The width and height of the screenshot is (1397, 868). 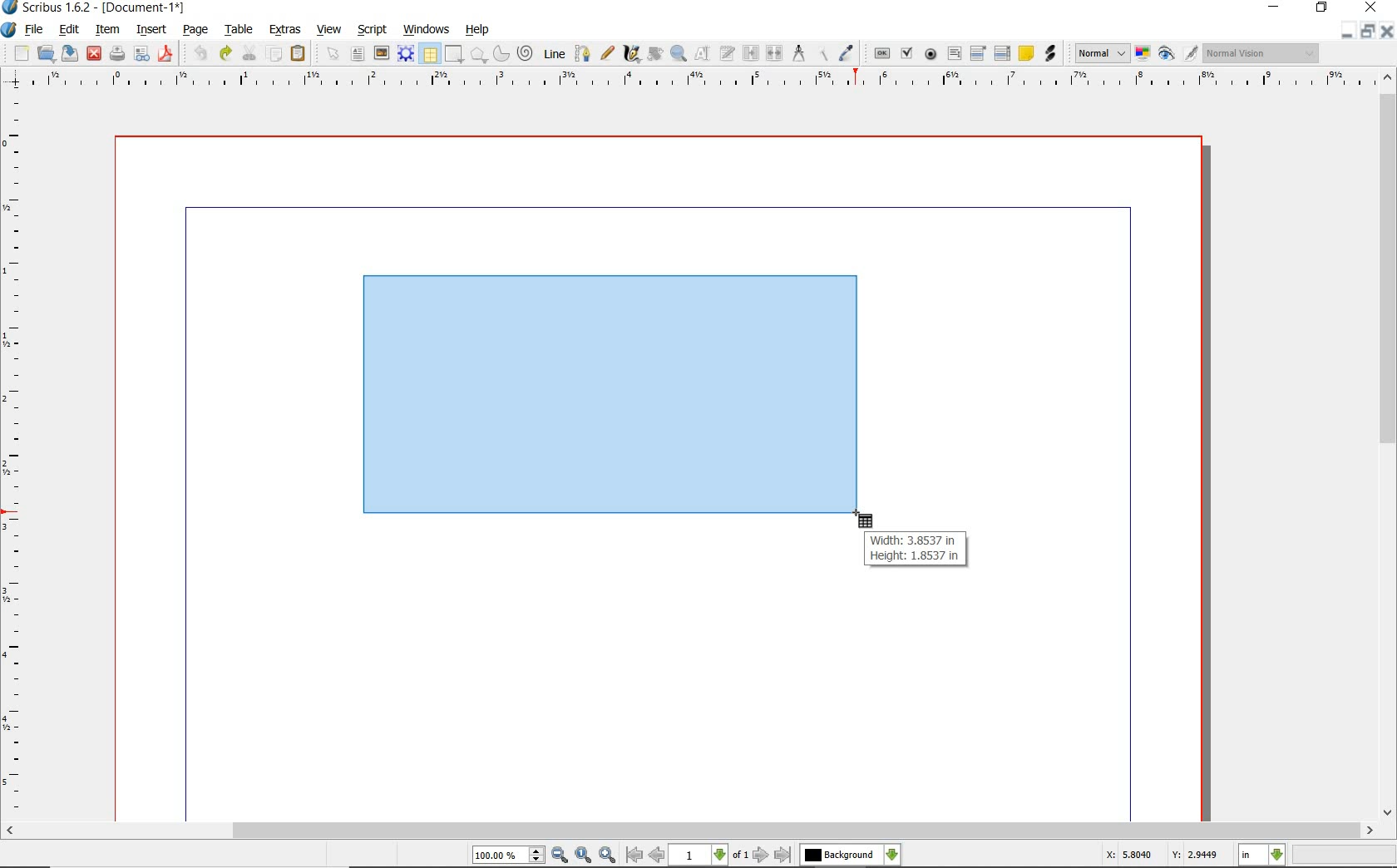 What do you see at coordinates (430, 55) in the screenshot?
I see `table` at bounding box center [430, 55].